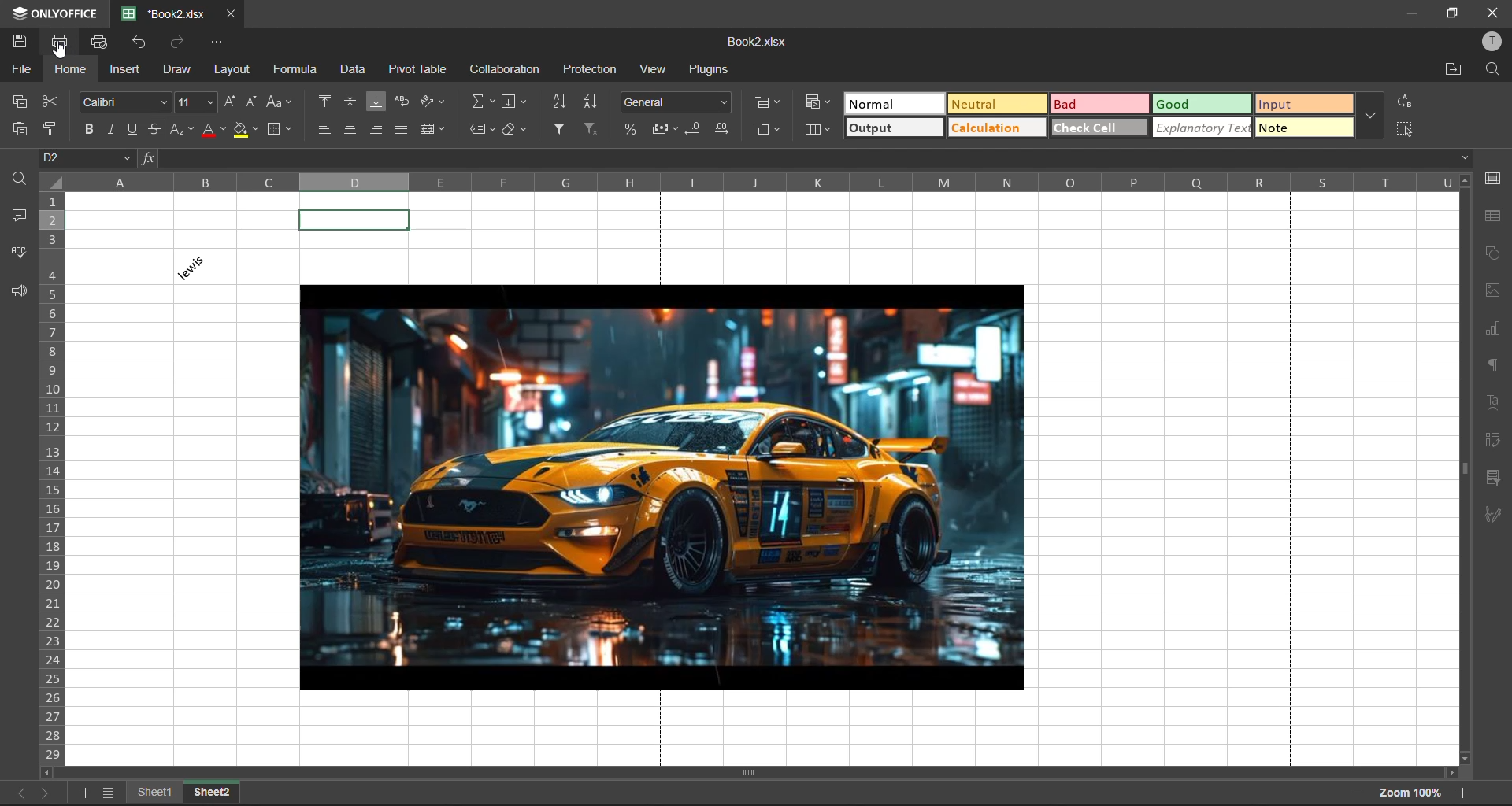  I want to click on shapes, so click(1492, 254).